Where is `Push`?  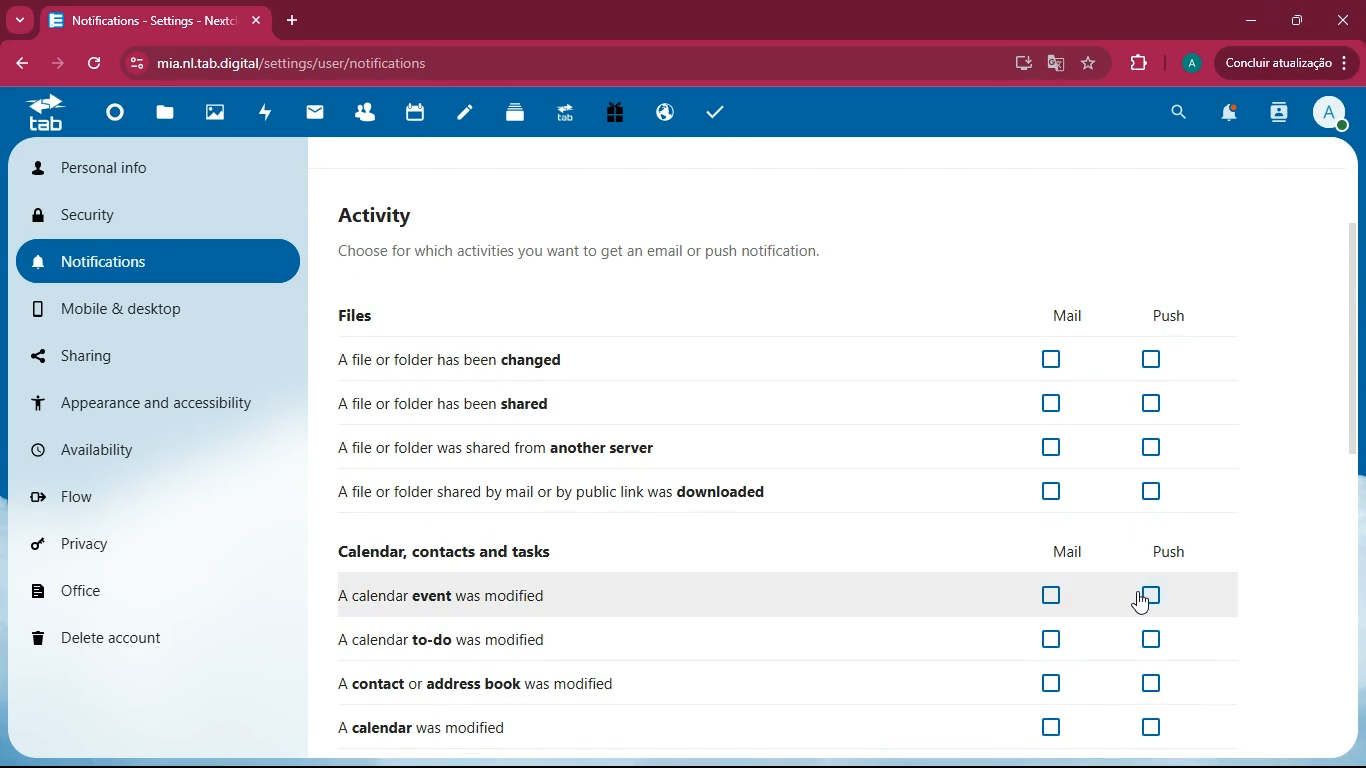
Push is located at coordinates (1163, 317).